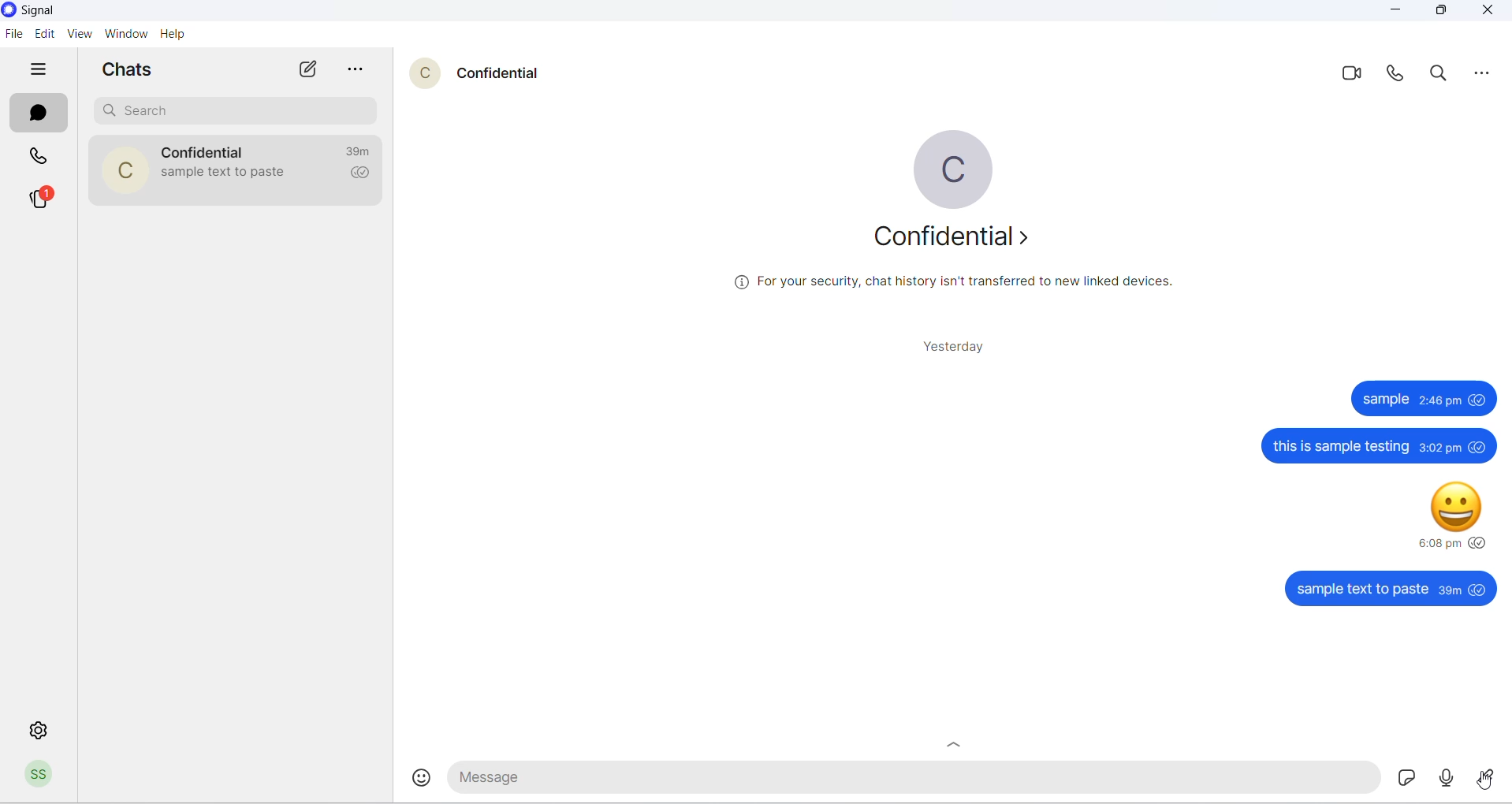 The image size is (1512, 804). I want to click on search in chats, so click(1443, 77).